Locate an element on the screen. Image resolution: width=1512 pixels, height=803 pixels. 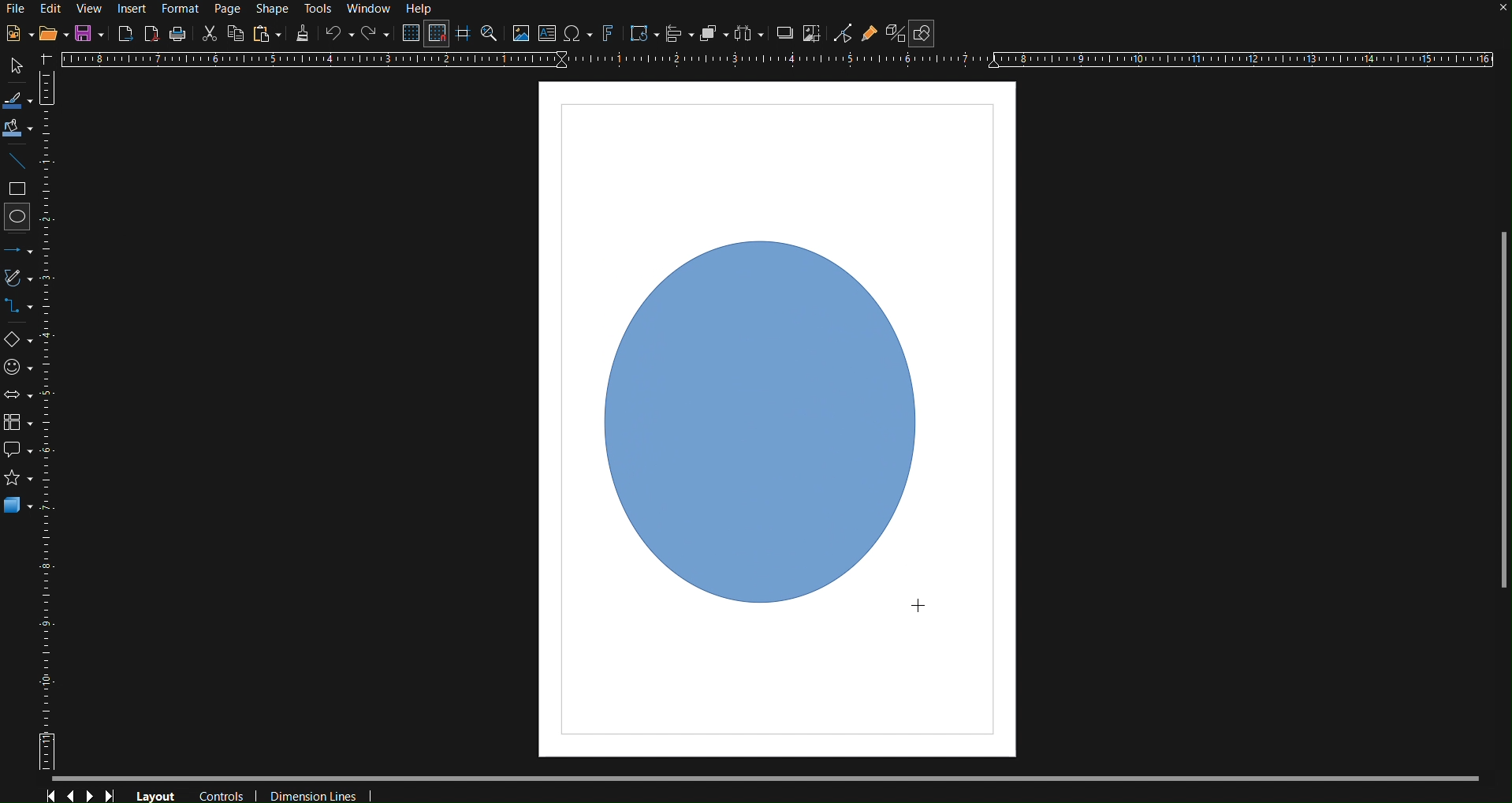
Circle (dragged) is located at coordinates (766, 416).